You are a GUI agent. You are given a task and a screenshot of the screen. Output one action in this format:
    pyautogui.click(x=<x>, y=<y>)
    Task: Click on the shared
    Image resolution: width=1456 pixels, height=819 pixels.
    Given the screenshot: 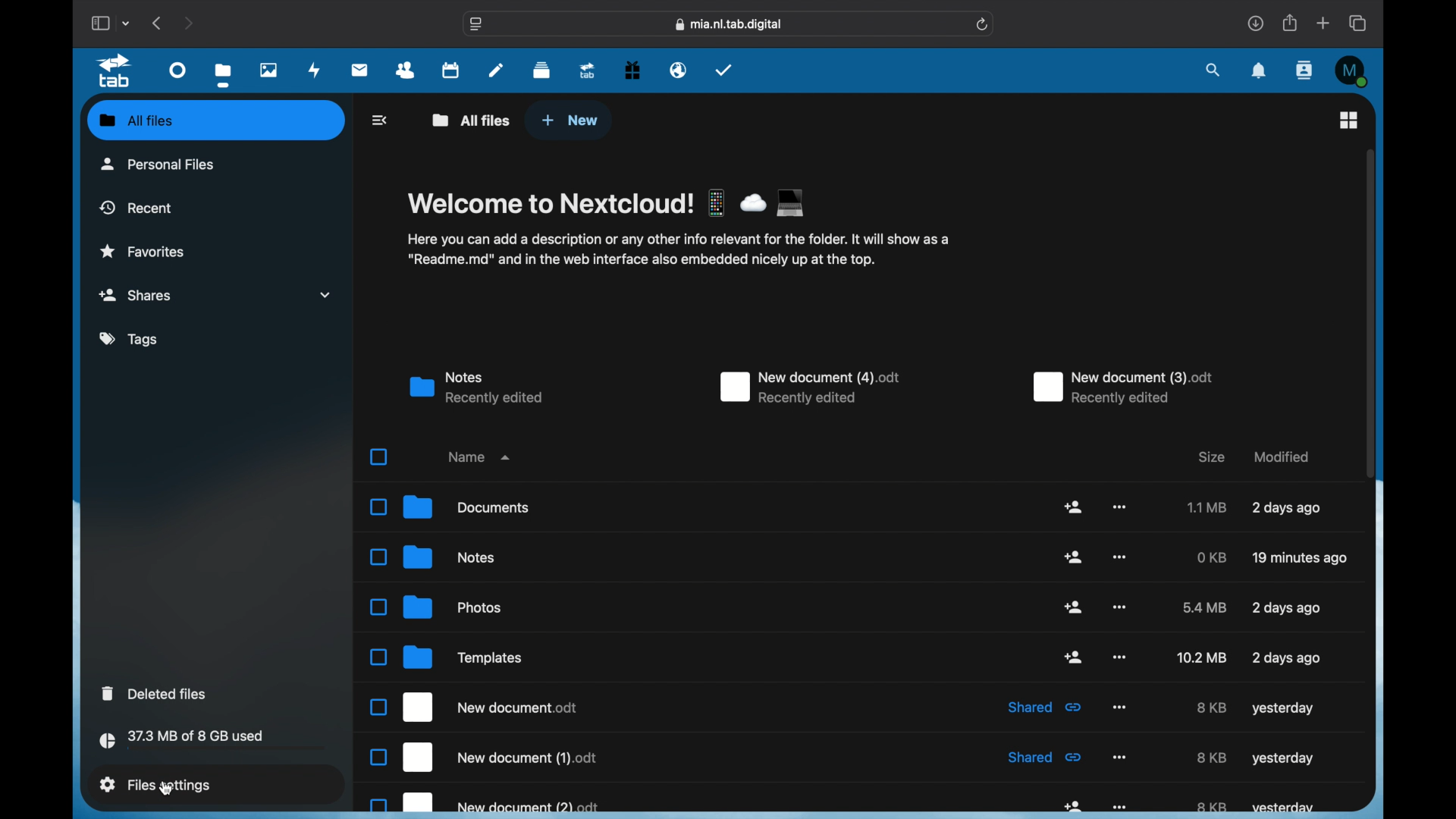 What is the action you would take?
    pyautogui.click(x=1074, y=657)
    